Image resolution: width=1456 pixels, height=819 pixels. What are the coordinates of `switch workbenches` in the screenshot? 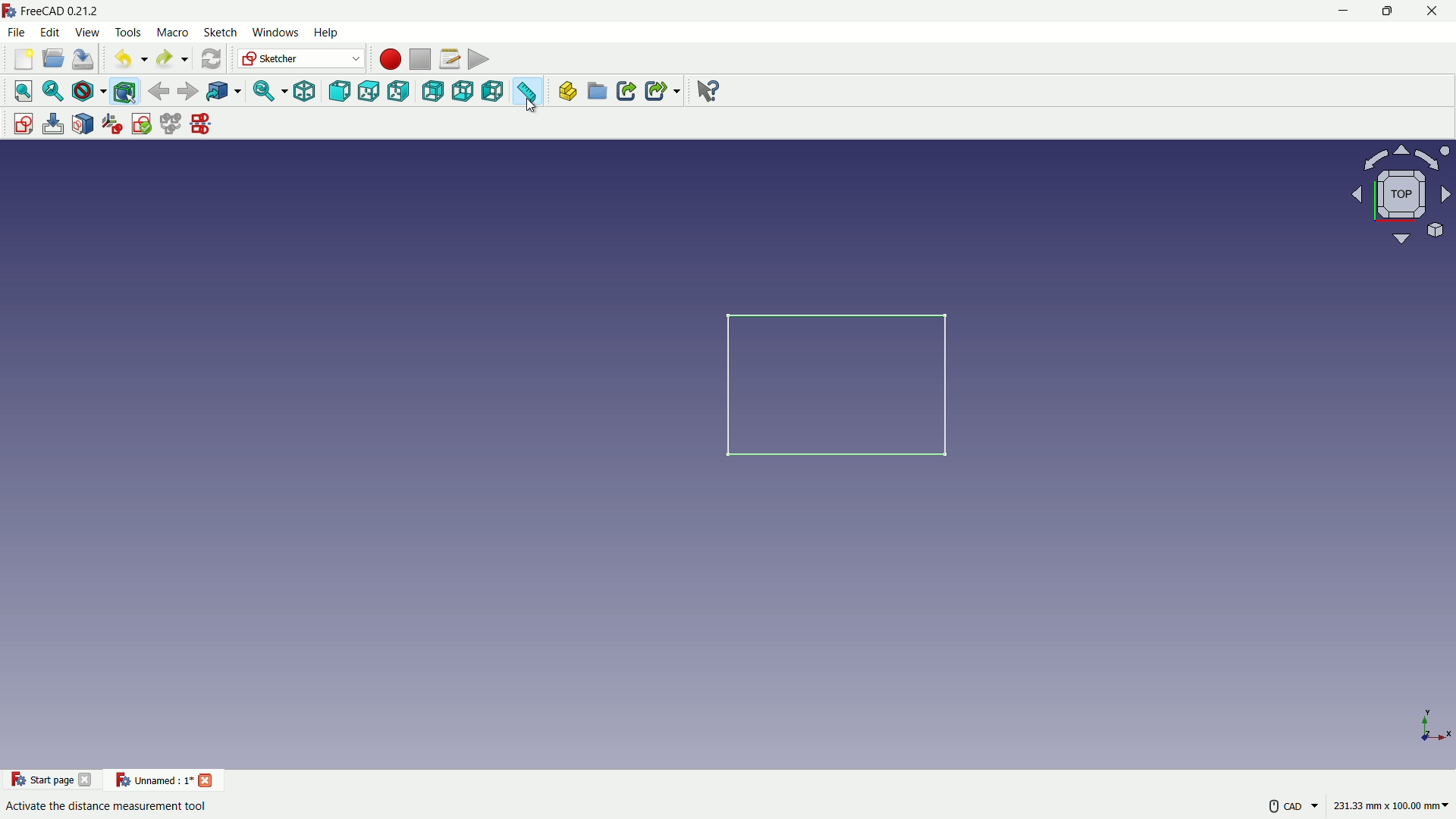 It's located at (301, 59).